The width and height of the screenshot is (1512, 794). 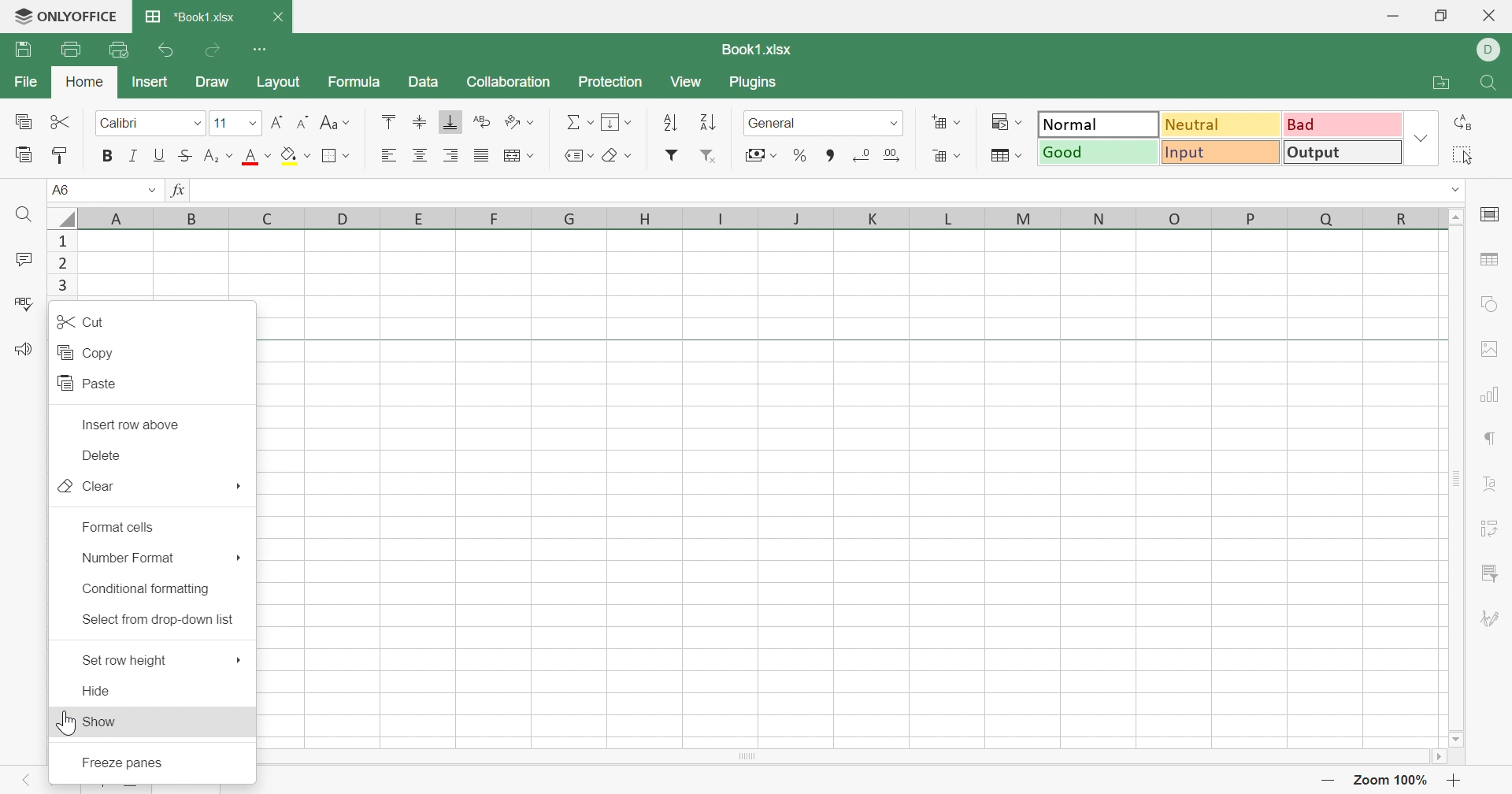 What do you see at coordinates (27, 304) in the screenshot?
I see `Check Spelling` at bounding box center [27, 304].